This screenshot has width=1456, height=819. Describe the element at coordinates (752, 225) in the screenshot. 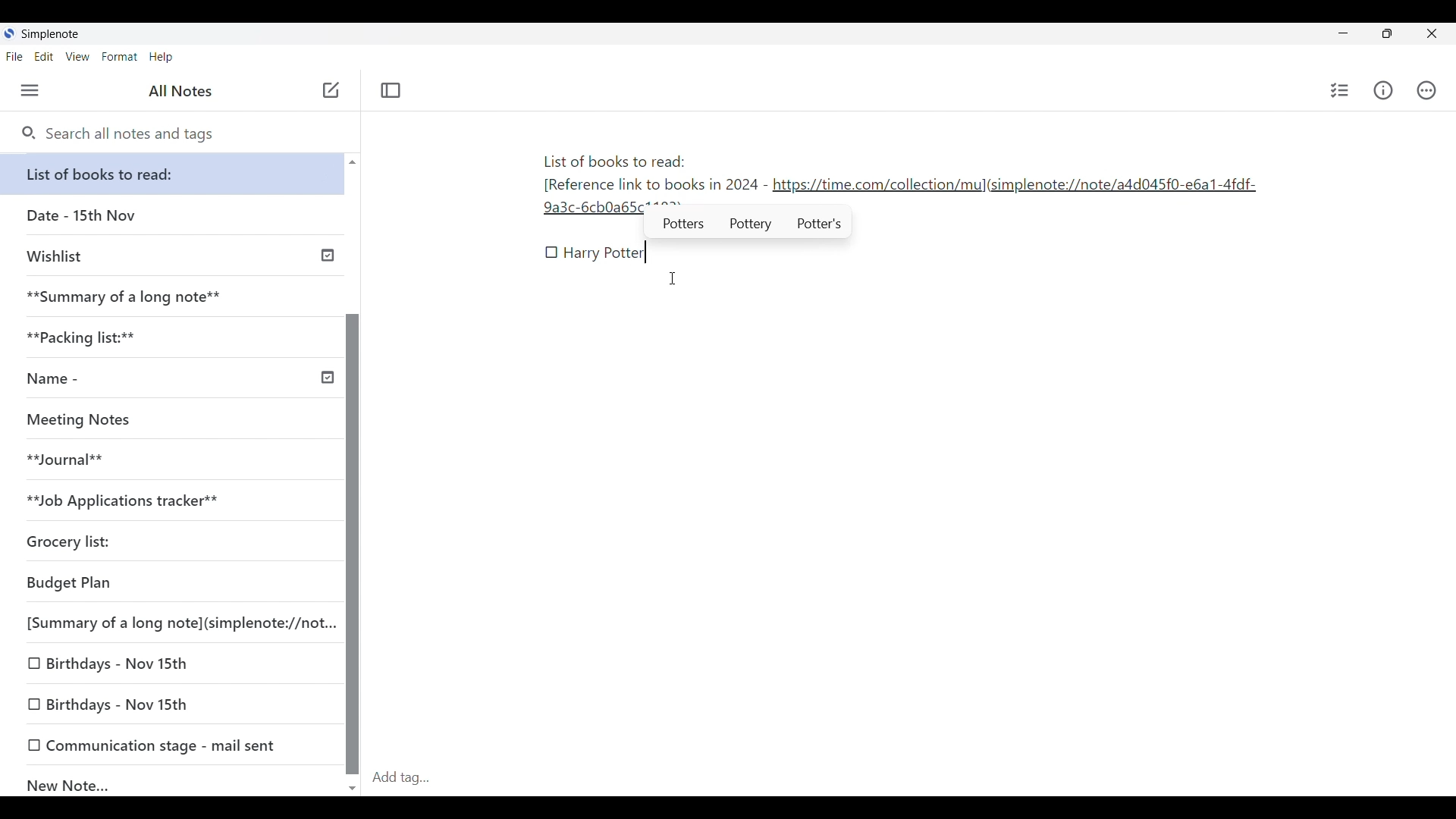

I see `Pottery` at that location.